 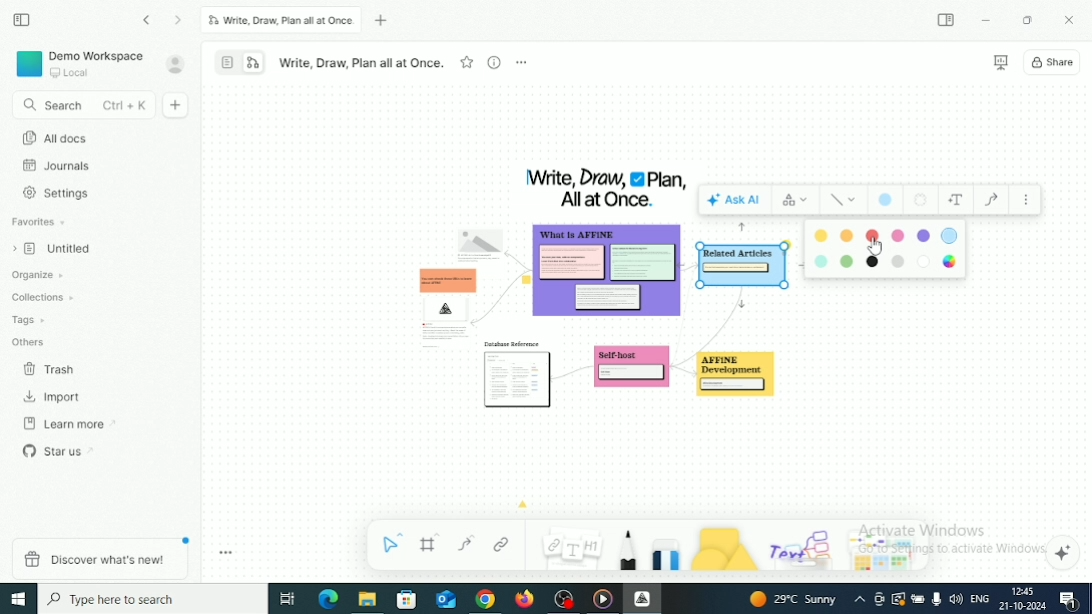 I want to click on Border  style, so click(x=920, y=200).